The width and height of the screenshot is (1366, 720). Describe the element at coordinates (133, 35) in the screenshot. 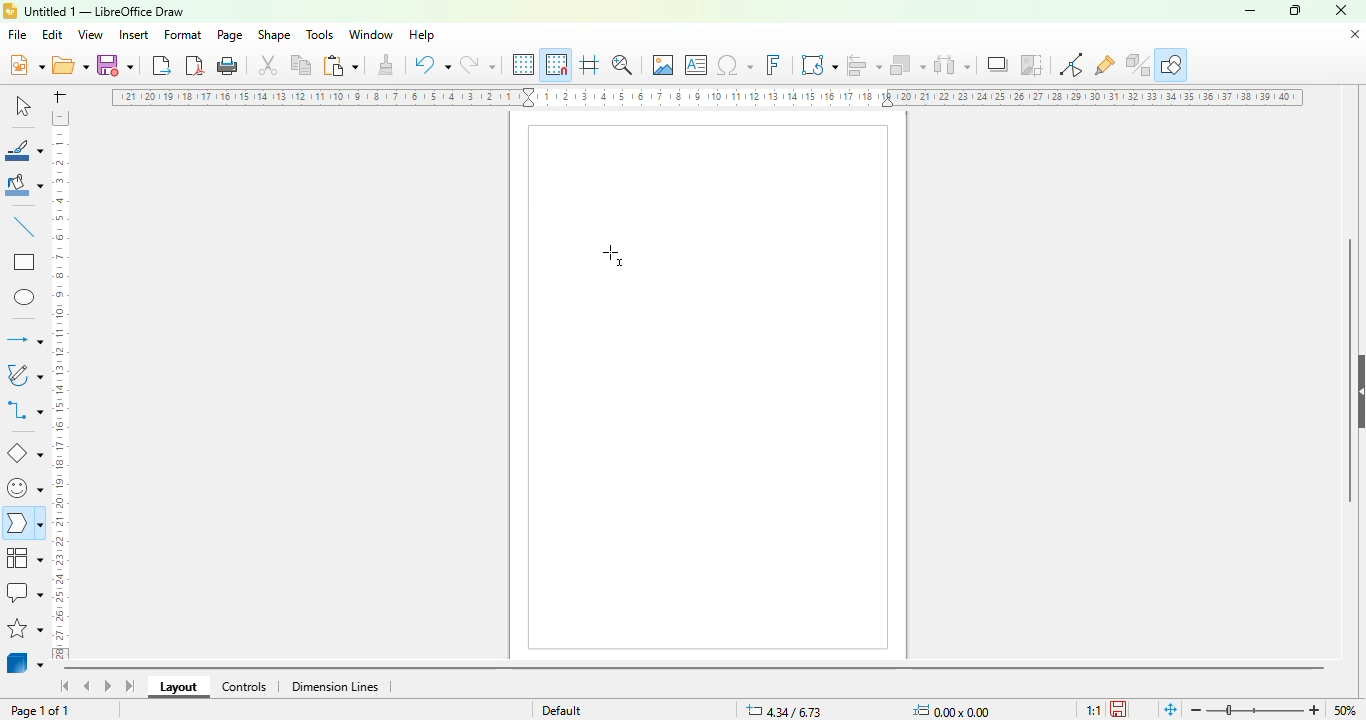

I see `insert` at that location.